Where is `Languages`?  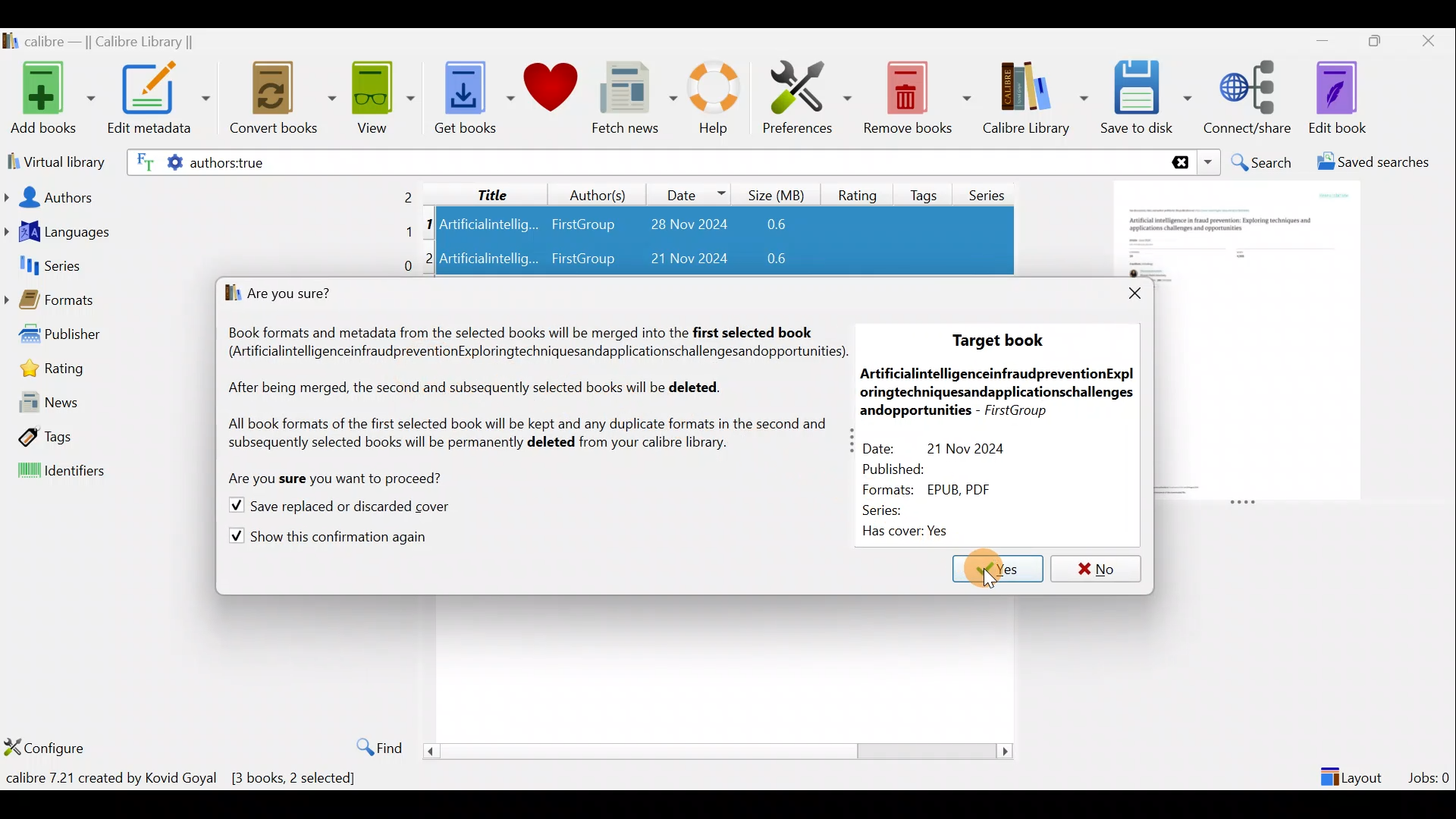 Languages is located at coordinates (209, 234).